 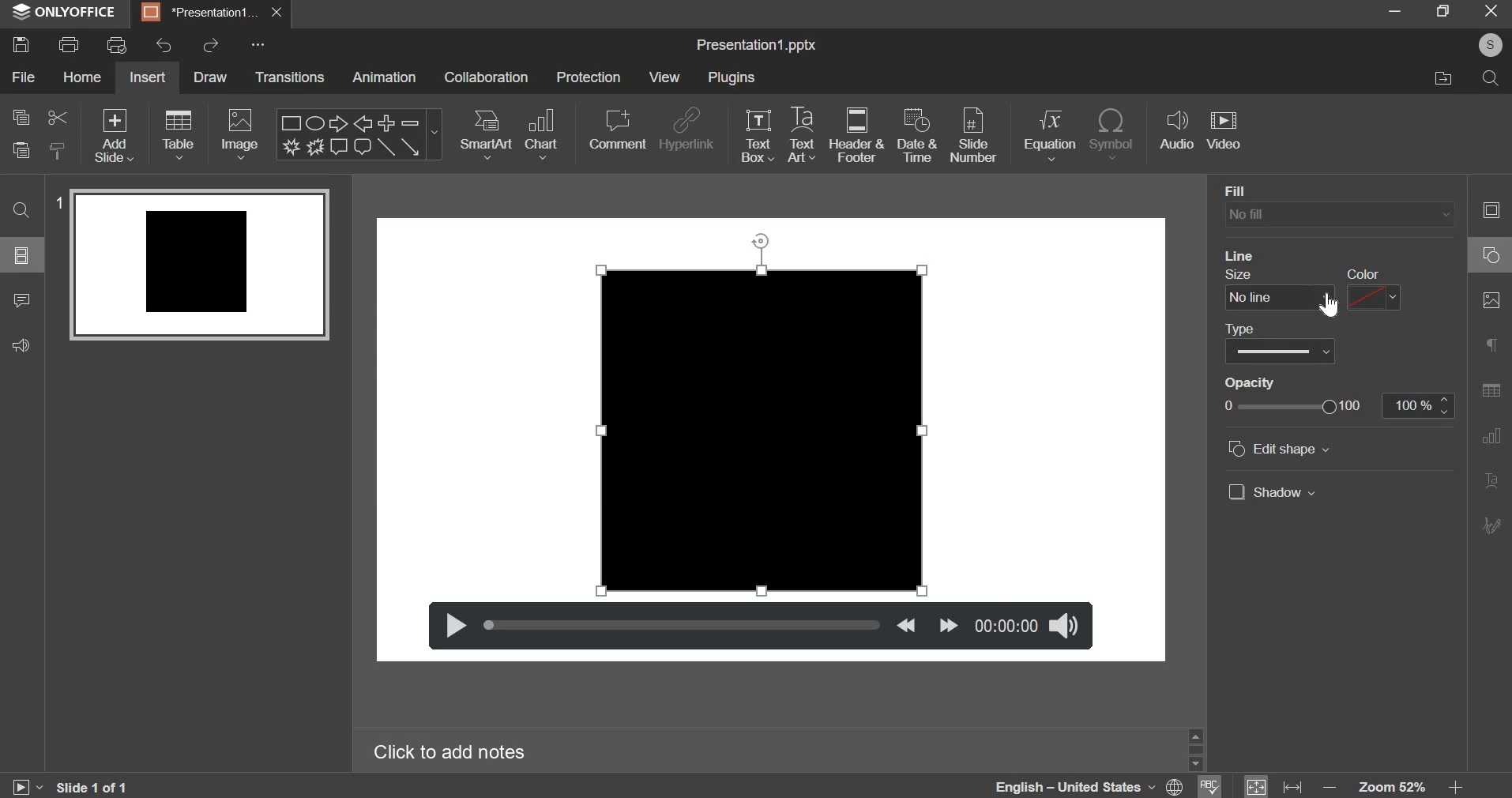 I want to click on opacity, so click(x=1341, y=407).